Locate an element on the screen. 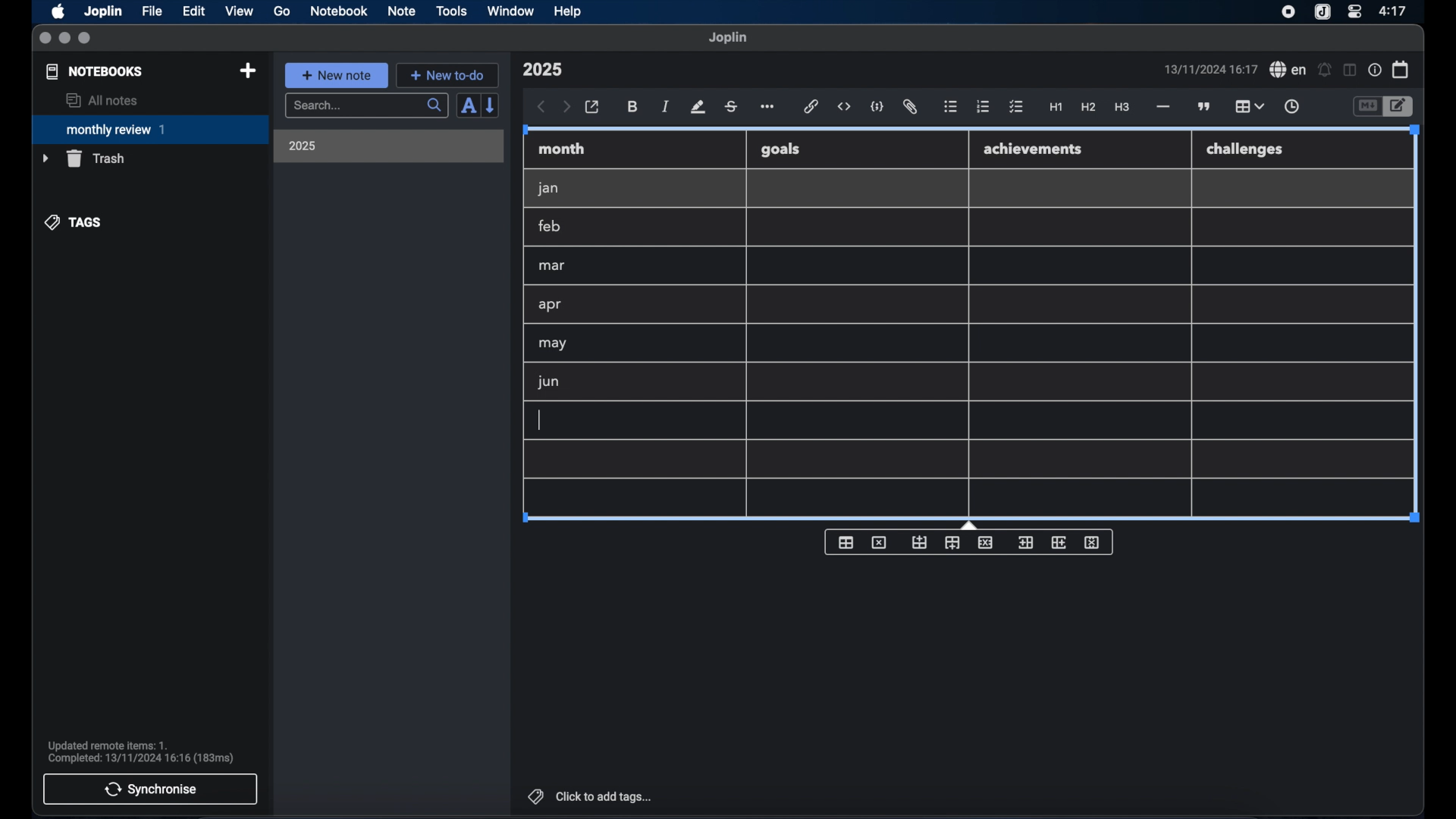  inline code is located at coordinates (844, 107).